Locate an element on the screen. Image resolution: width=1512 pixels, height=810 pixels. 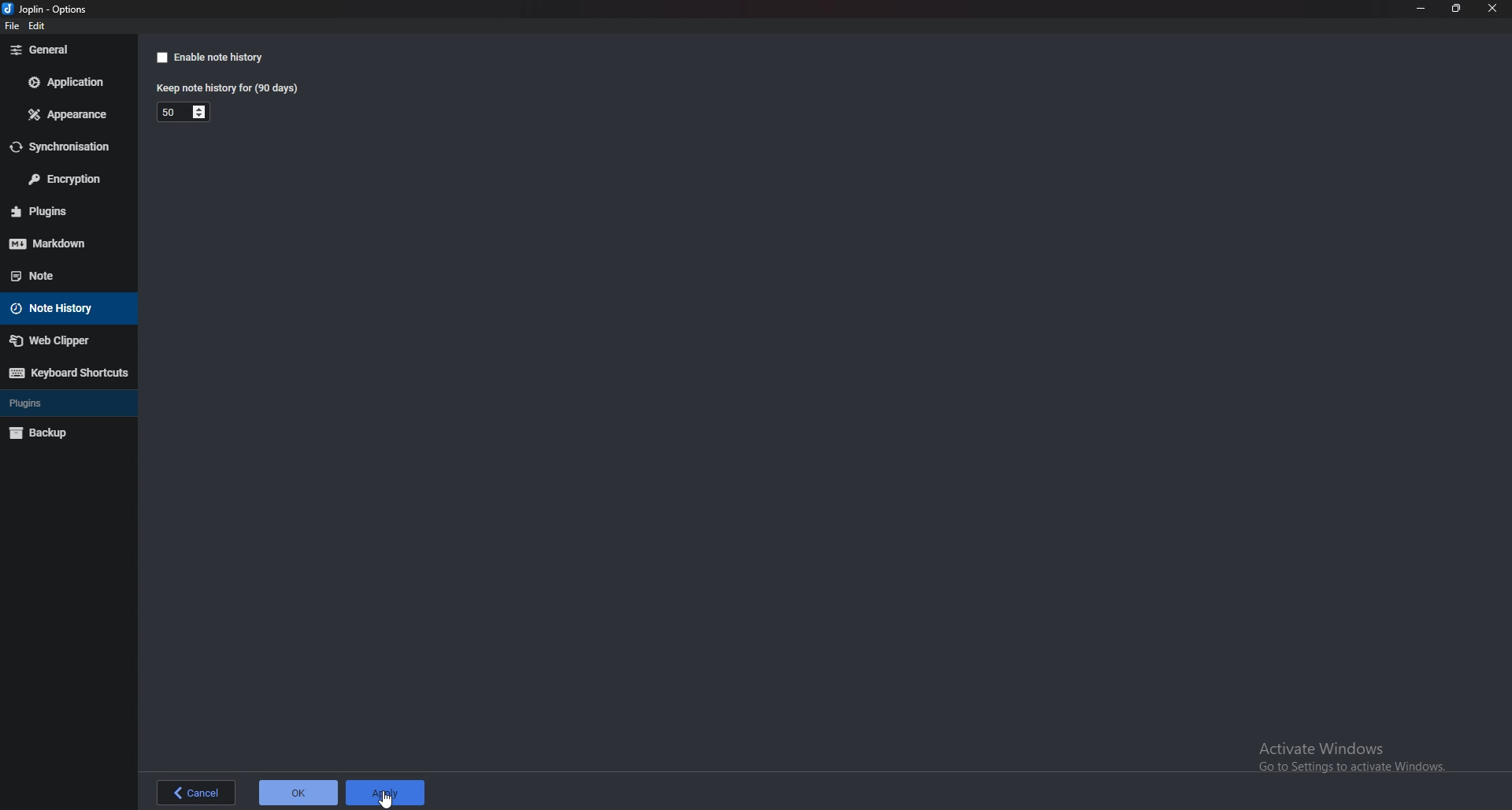
close is located at coordinates (1495, 9).